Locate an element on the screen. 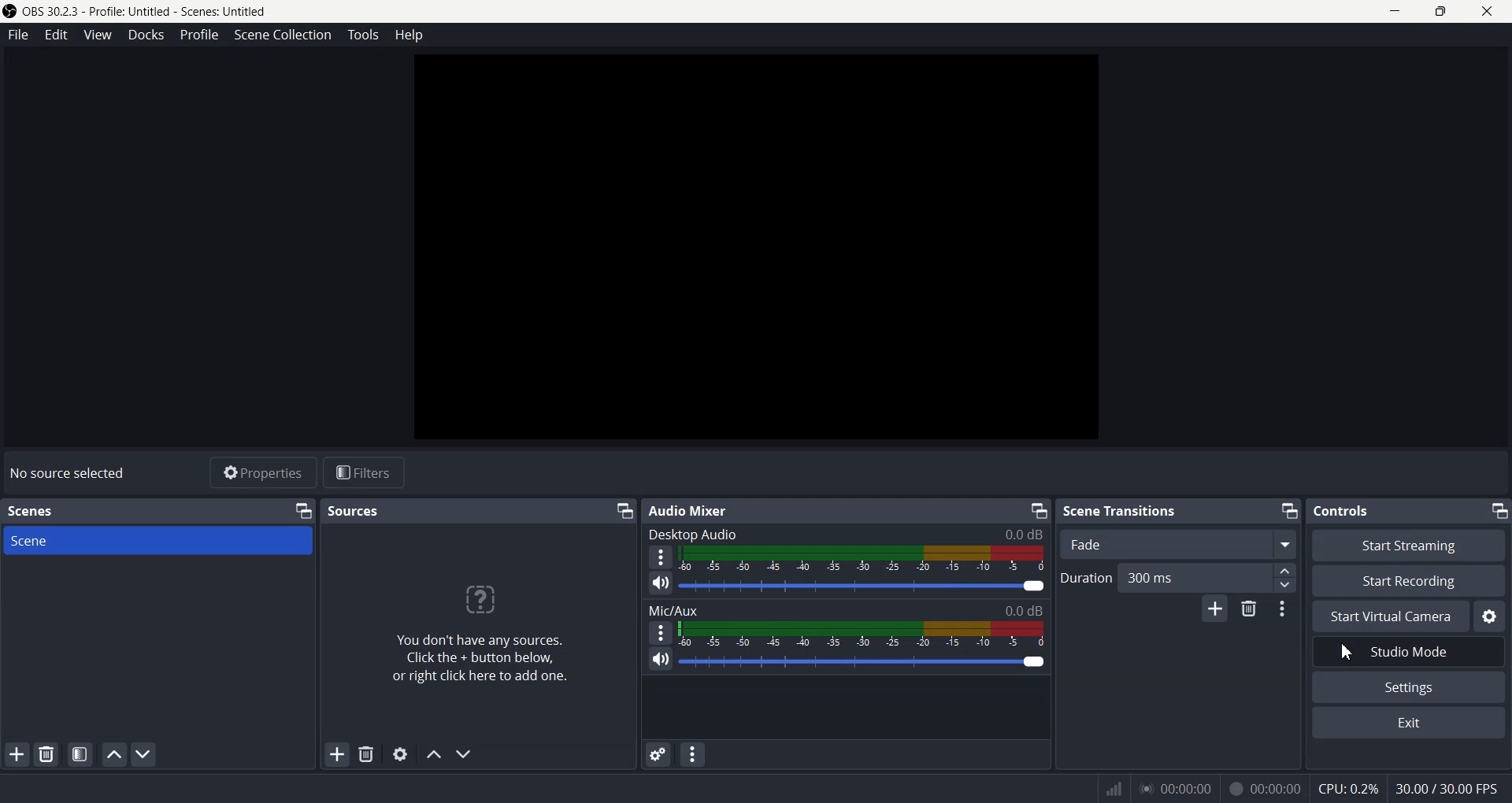  Add configurable transition is located at coordinates (1215, 609).